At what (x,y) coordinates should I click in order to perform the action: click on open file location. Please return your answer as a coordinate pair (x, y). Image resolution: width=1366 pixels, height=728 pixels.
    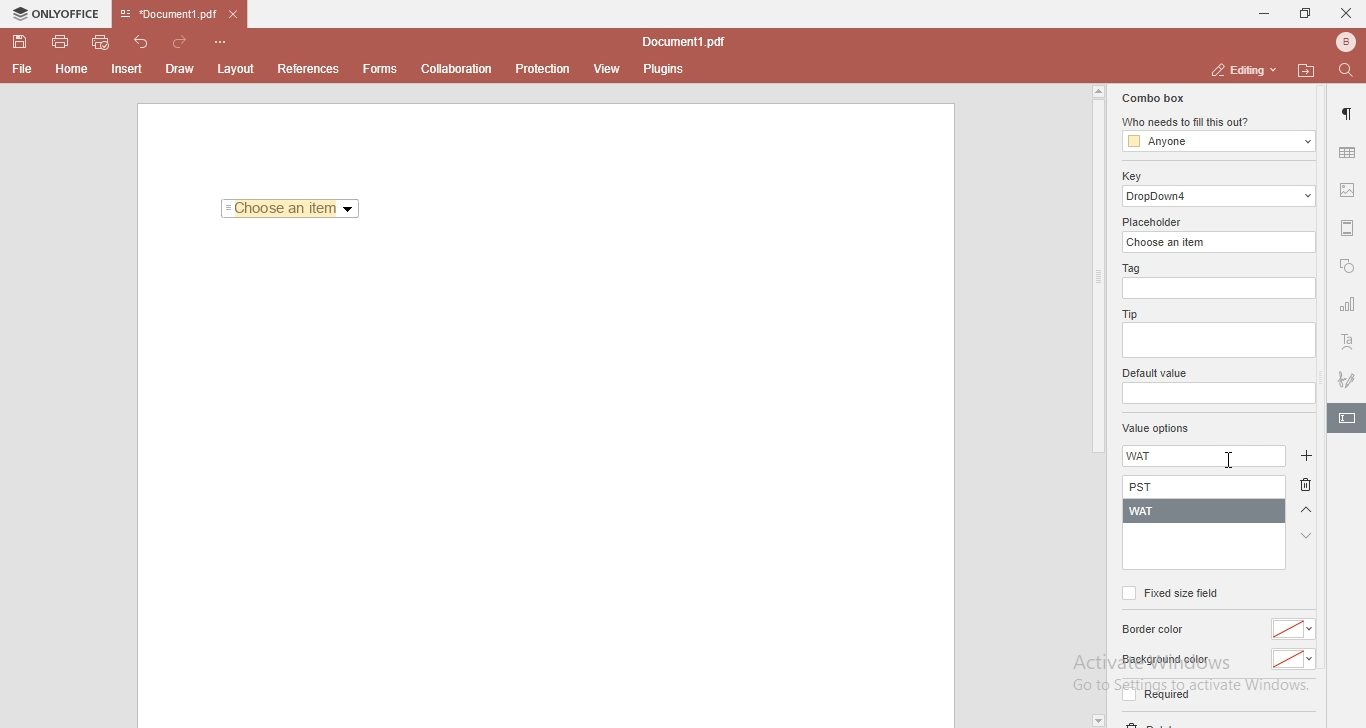
    Looking at the image, I should click on (1309, 70).